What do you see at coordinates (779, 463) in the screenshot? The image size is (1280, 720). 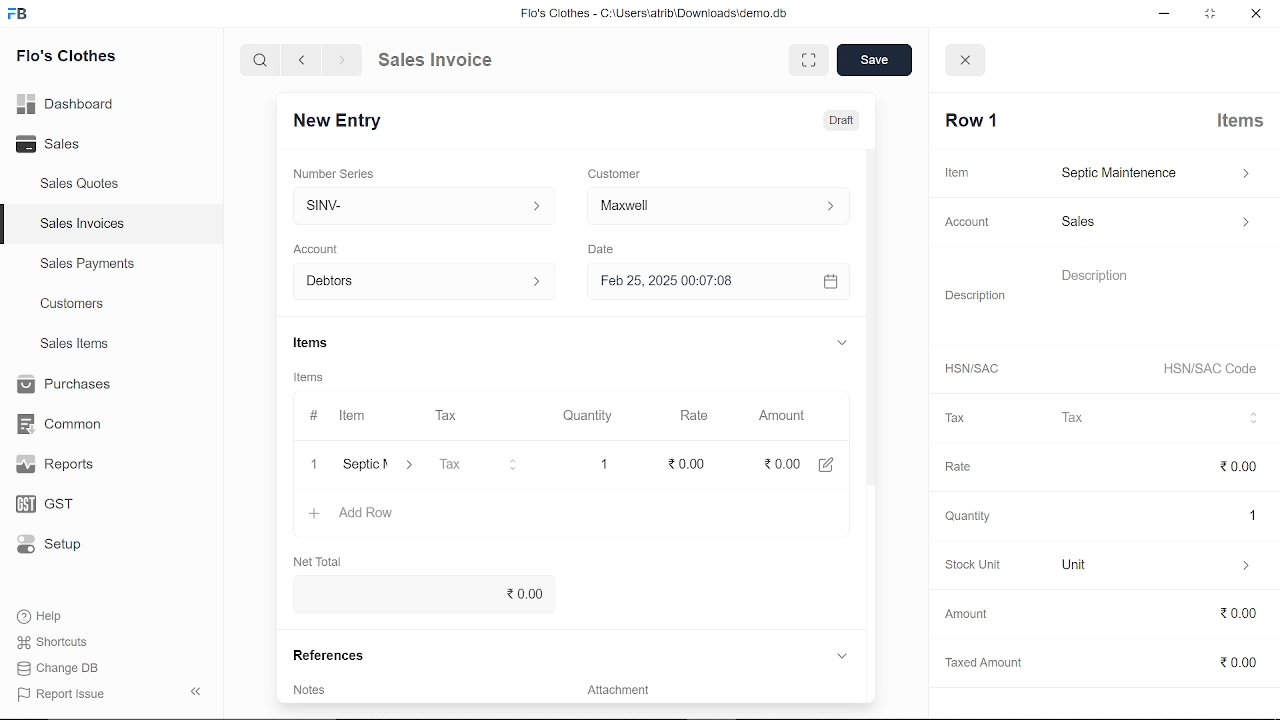 I see `0.00` at bounding box center [779, 463].